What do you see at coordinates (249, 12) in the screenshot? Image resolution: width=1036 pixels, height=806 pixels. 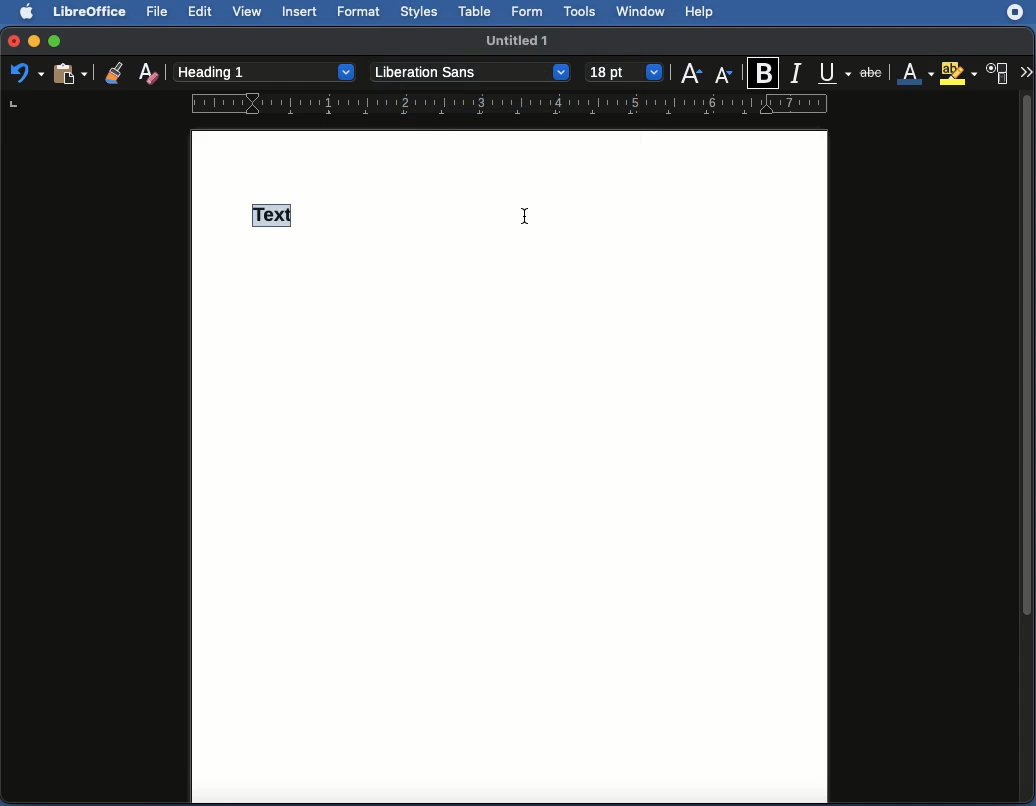 I see `View` at bounding box center [249, 12].